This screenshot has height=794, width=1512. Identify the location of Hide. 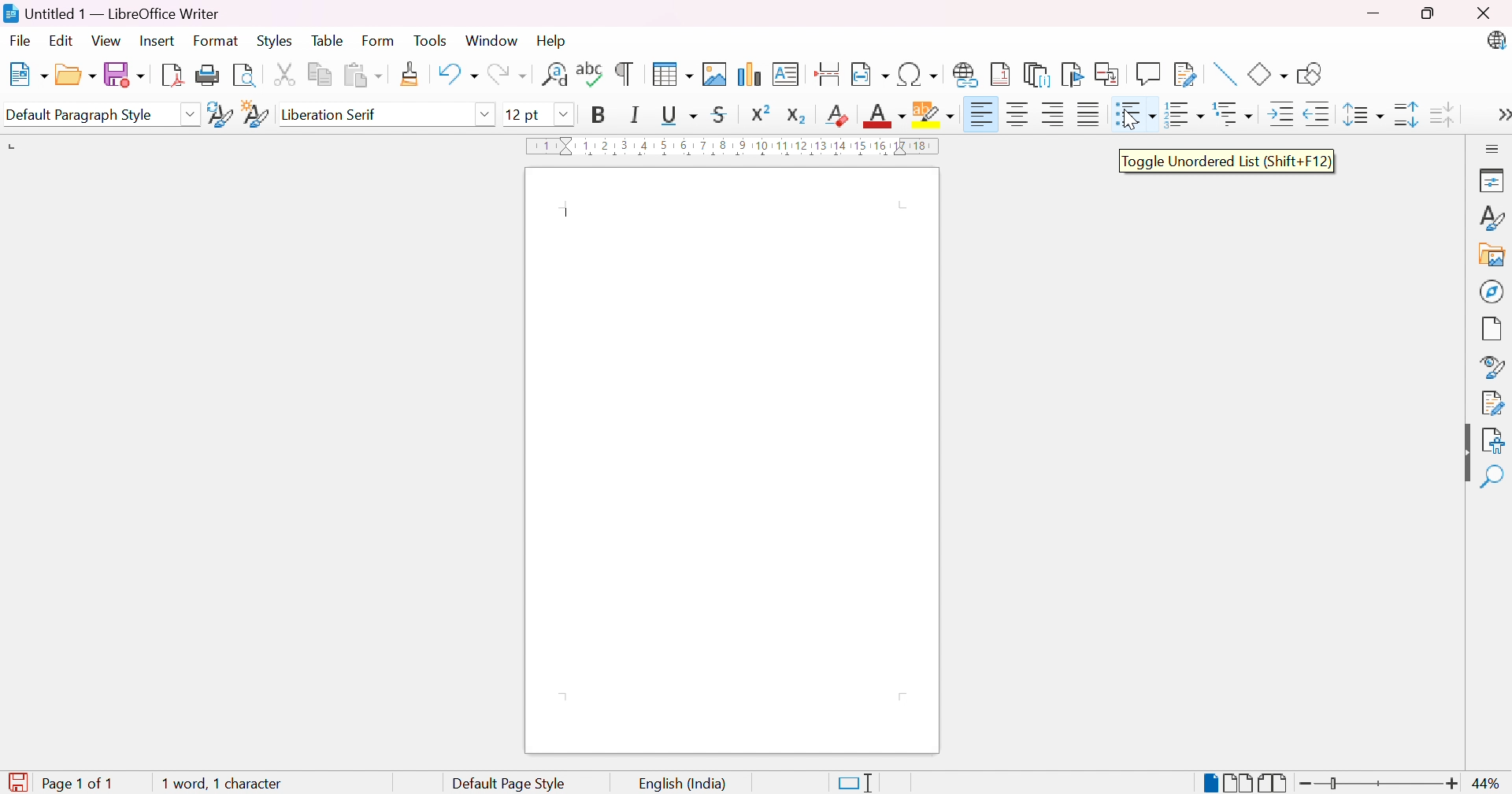
(1466, 451).